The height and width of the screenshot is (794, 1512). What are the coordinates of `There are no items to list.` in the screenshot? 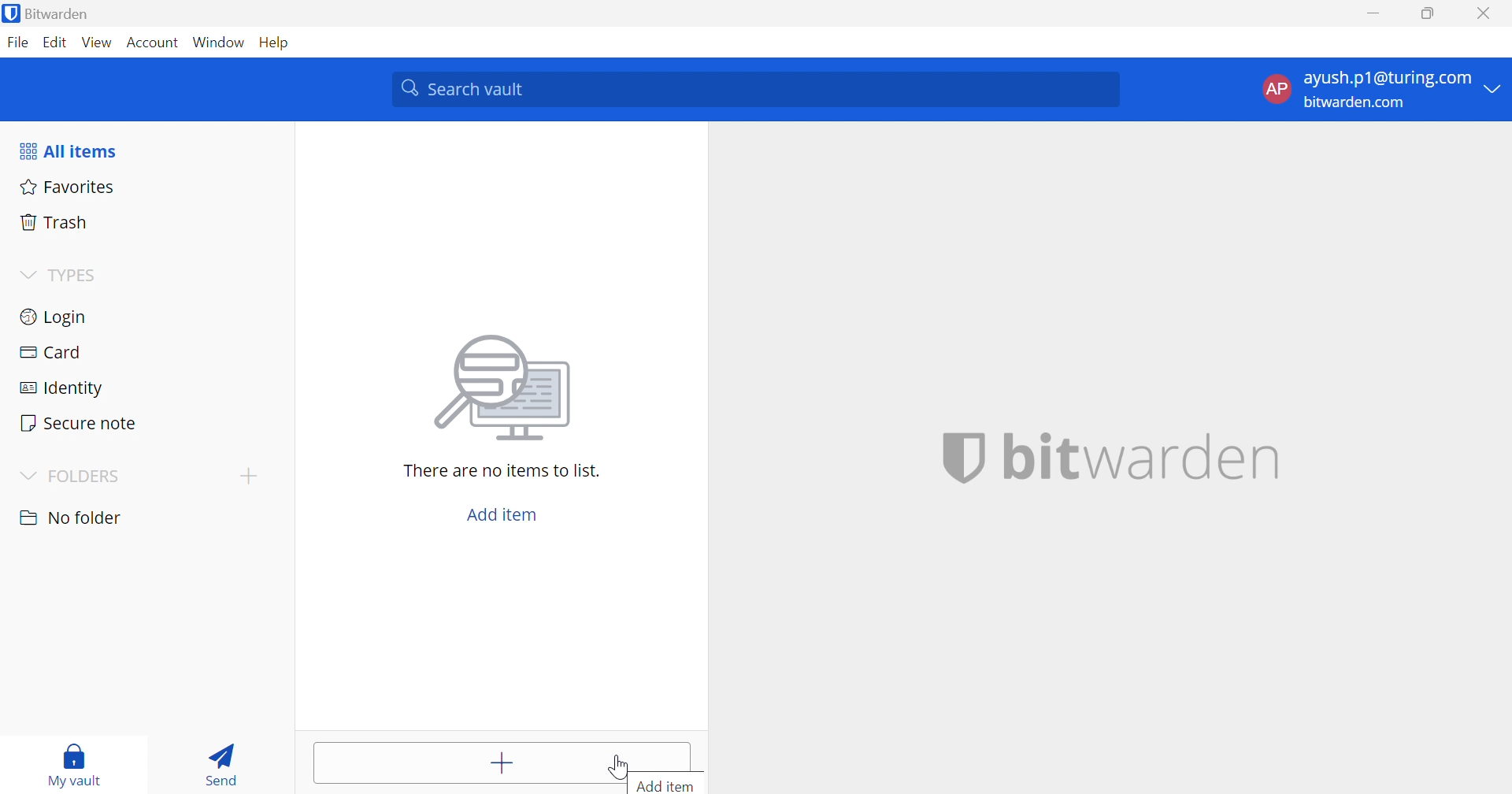 It's located at (503, 469).